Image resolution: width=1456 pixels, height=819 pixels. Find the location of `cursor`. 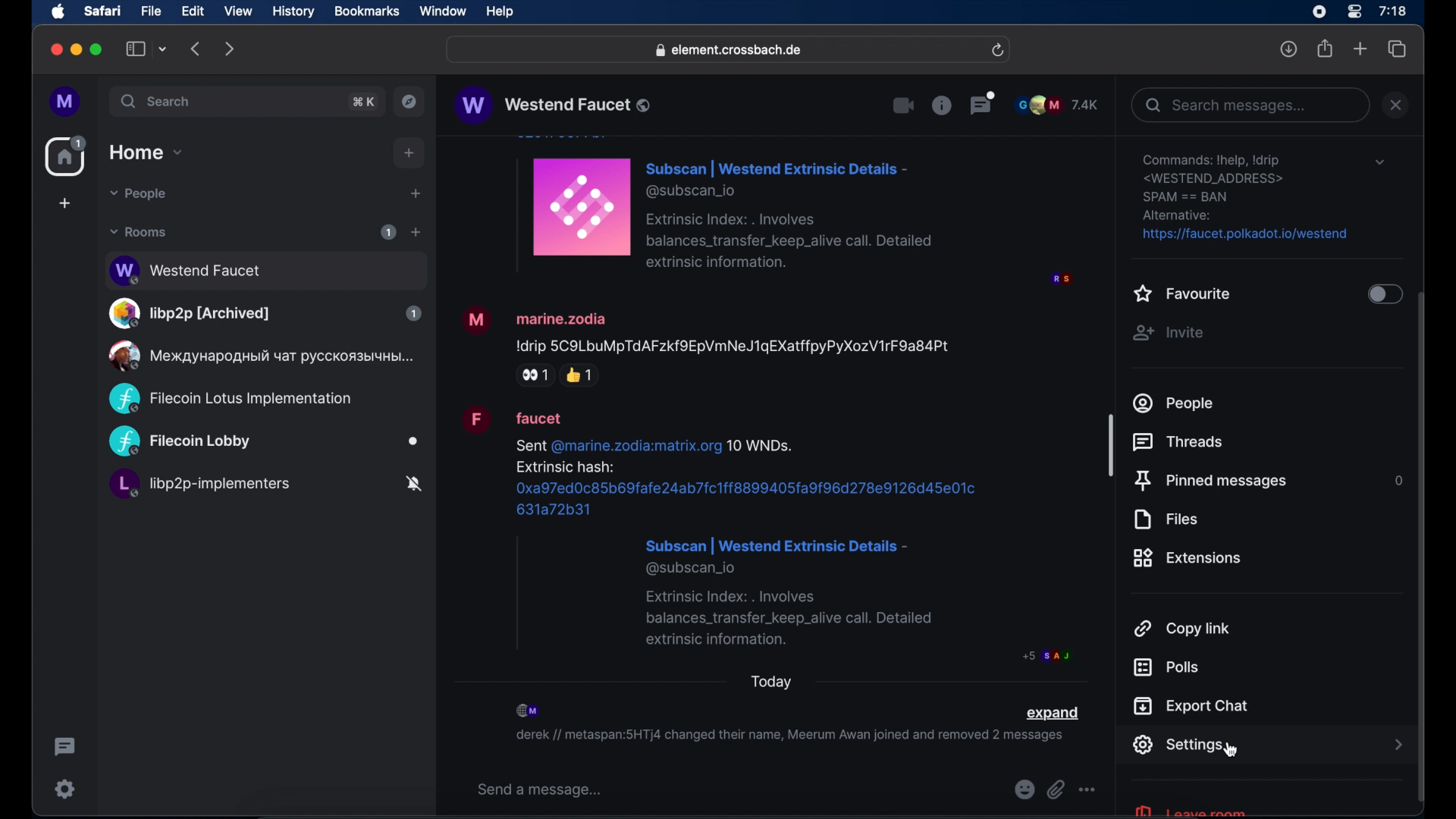

cursor is located at coordinates (1233, 752).